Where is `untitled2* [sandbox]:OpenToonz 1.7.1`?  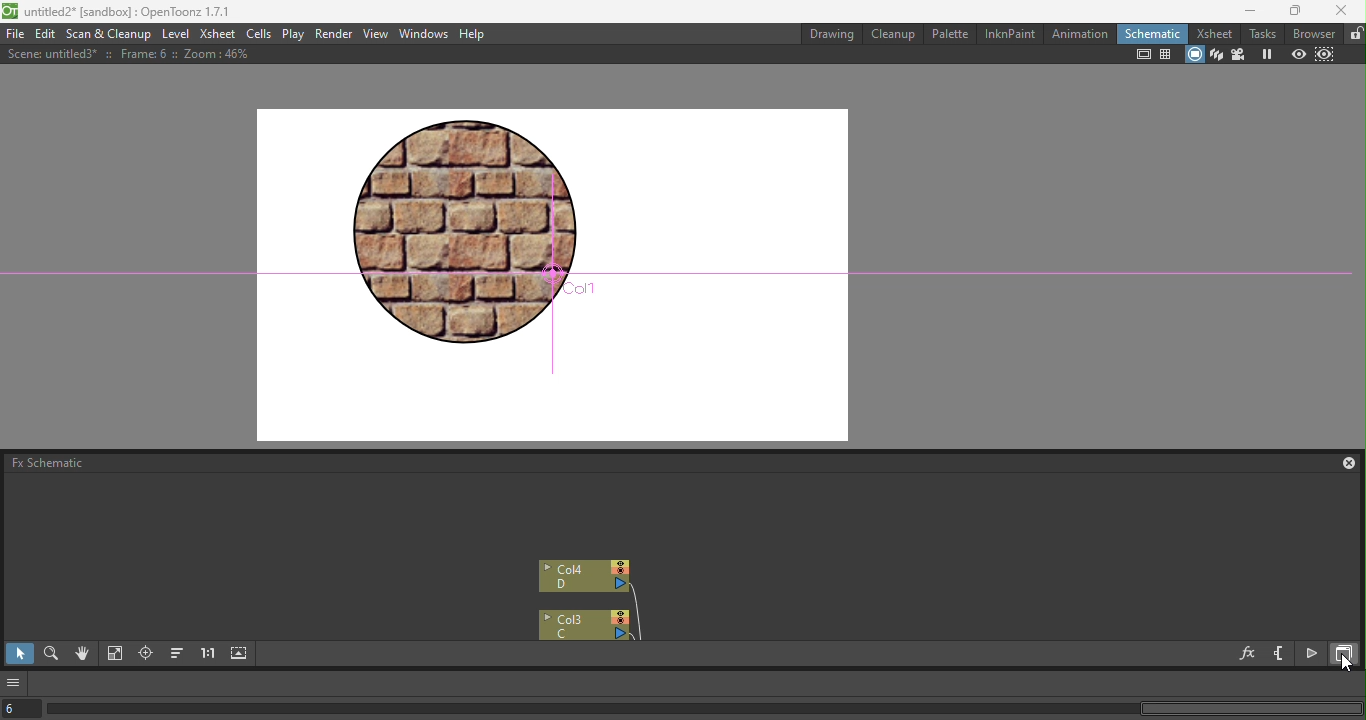
untitled2* [sandbox]:OpenToonz 1.7.1 is located at coordinates (119, 13).